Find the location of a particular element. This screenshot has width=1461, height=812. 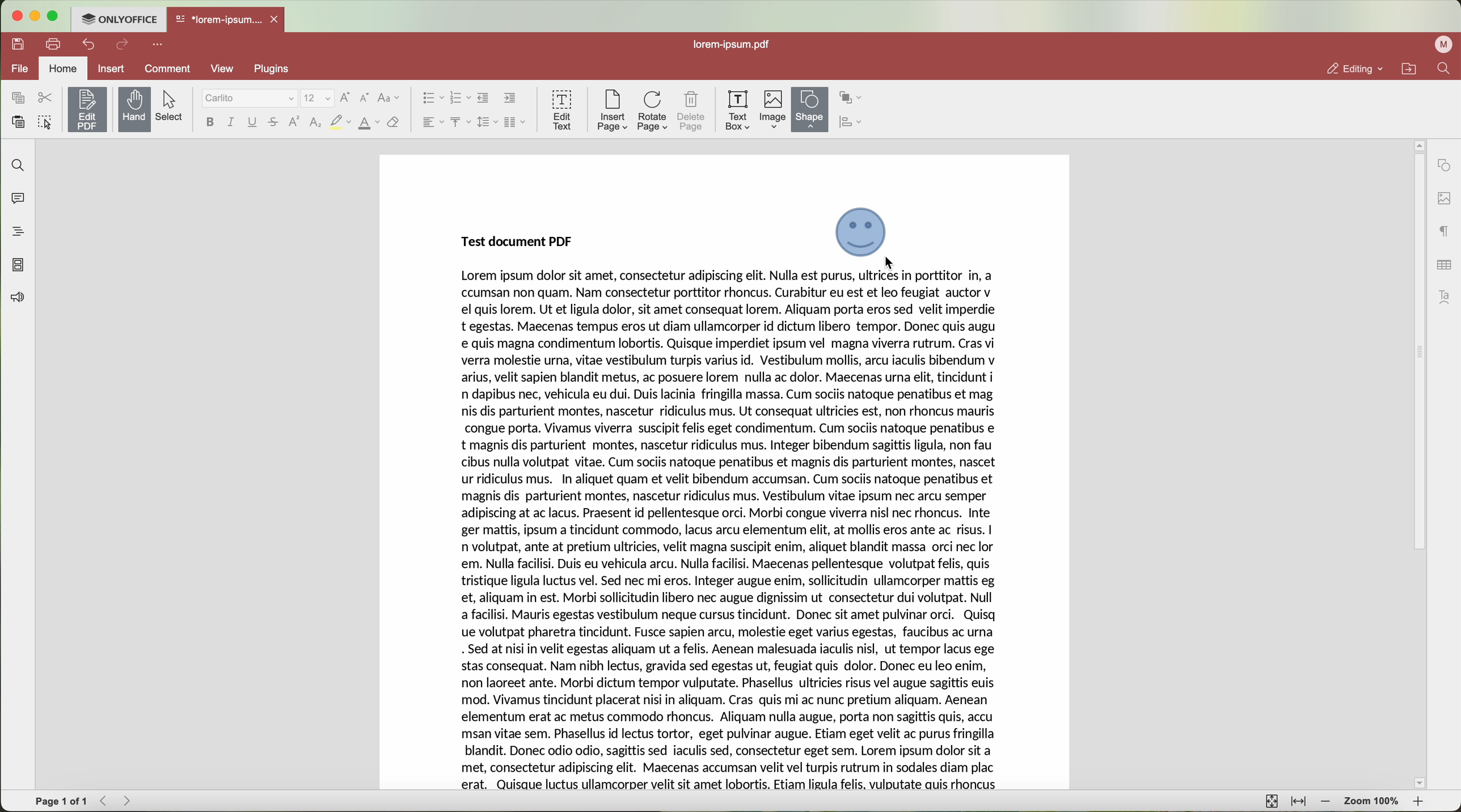

editing is located at coordinates (1355, 69).